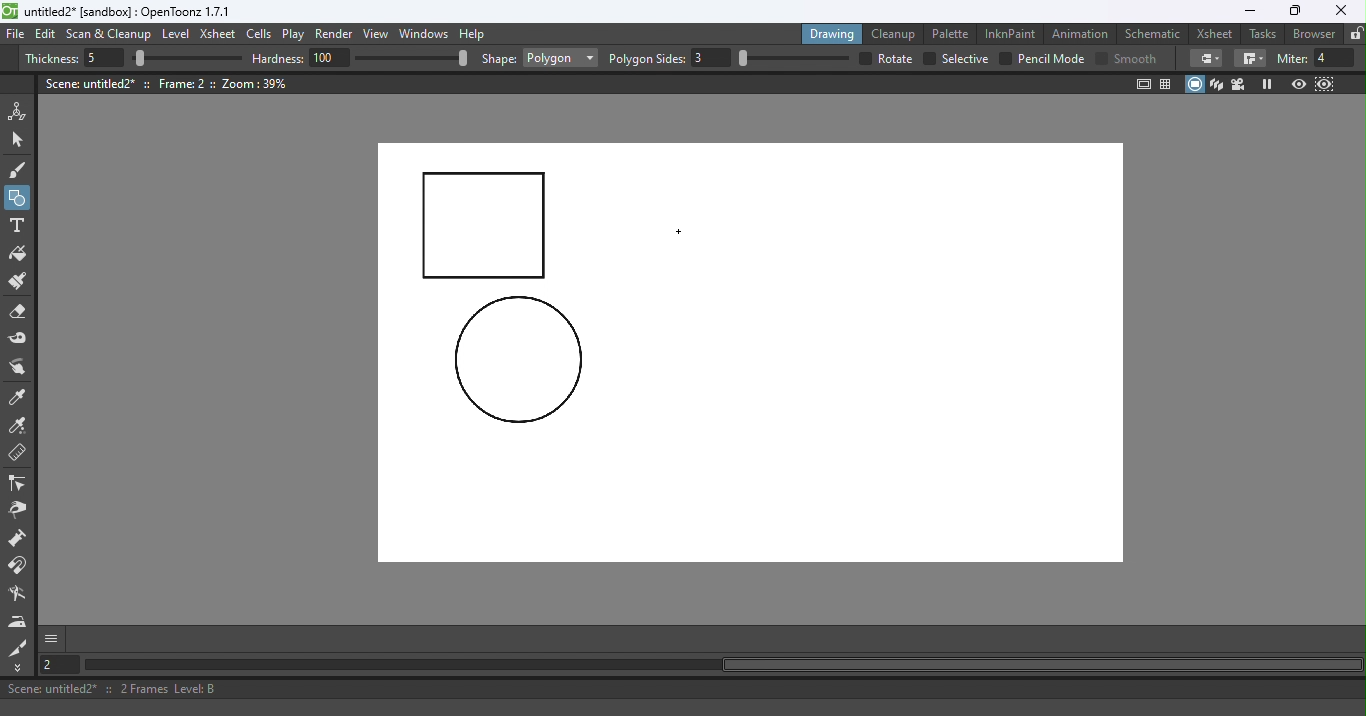  Describe the element at coordinates (1249, 11) in the screenshot. I see `Minimize` at that location.